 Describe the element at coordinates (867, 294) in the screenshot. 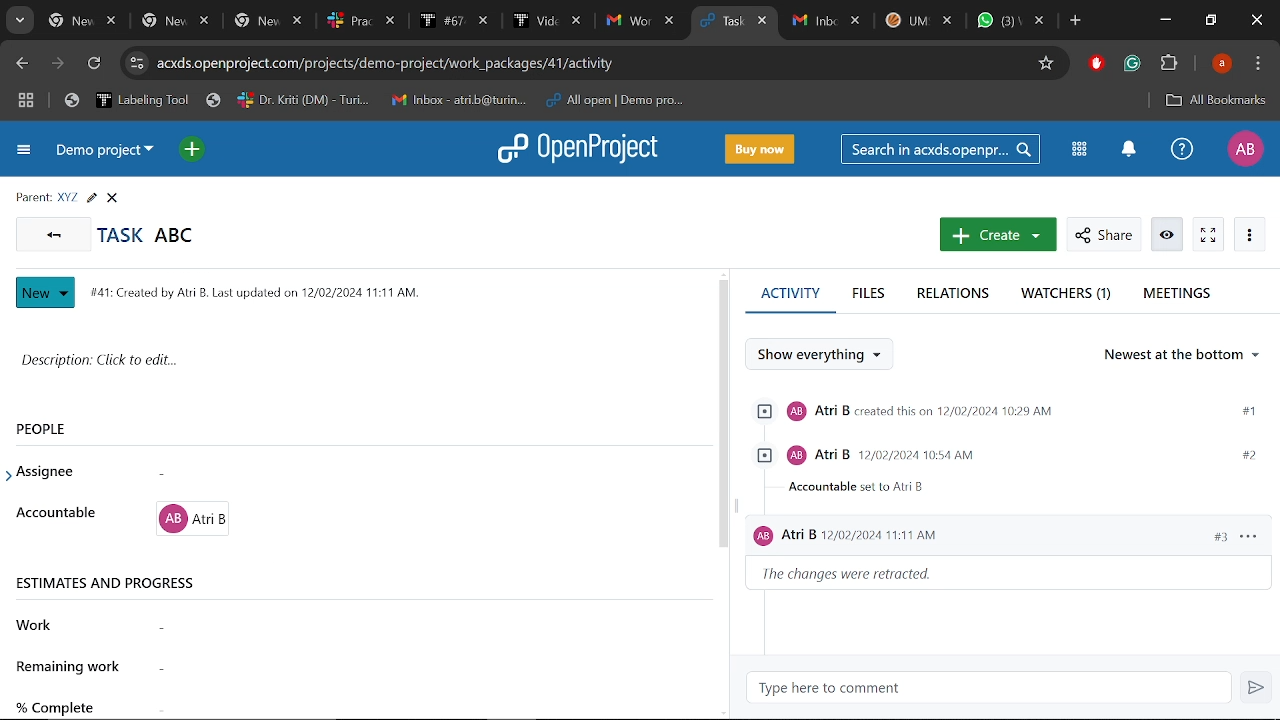

I see `Files` at that location.